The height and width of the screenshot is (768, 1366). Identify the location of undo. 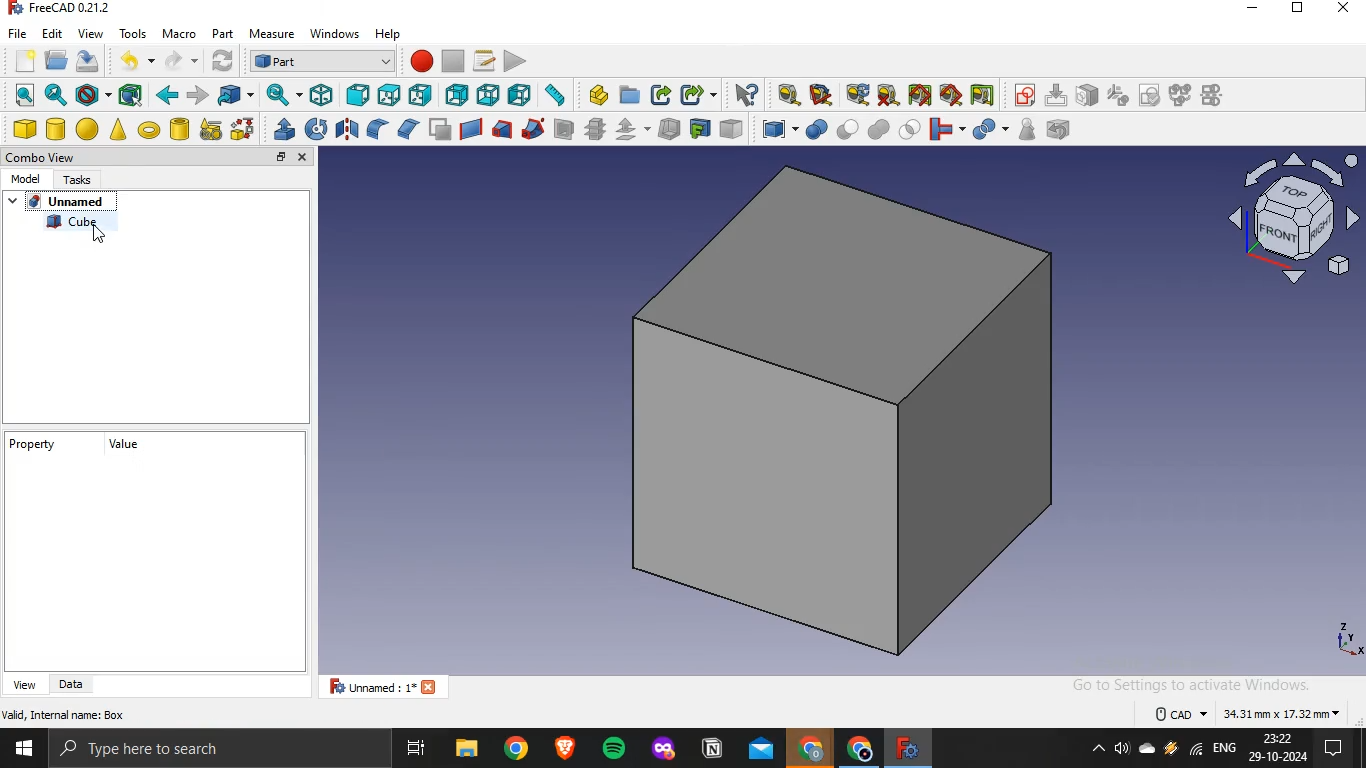
(128, 60).